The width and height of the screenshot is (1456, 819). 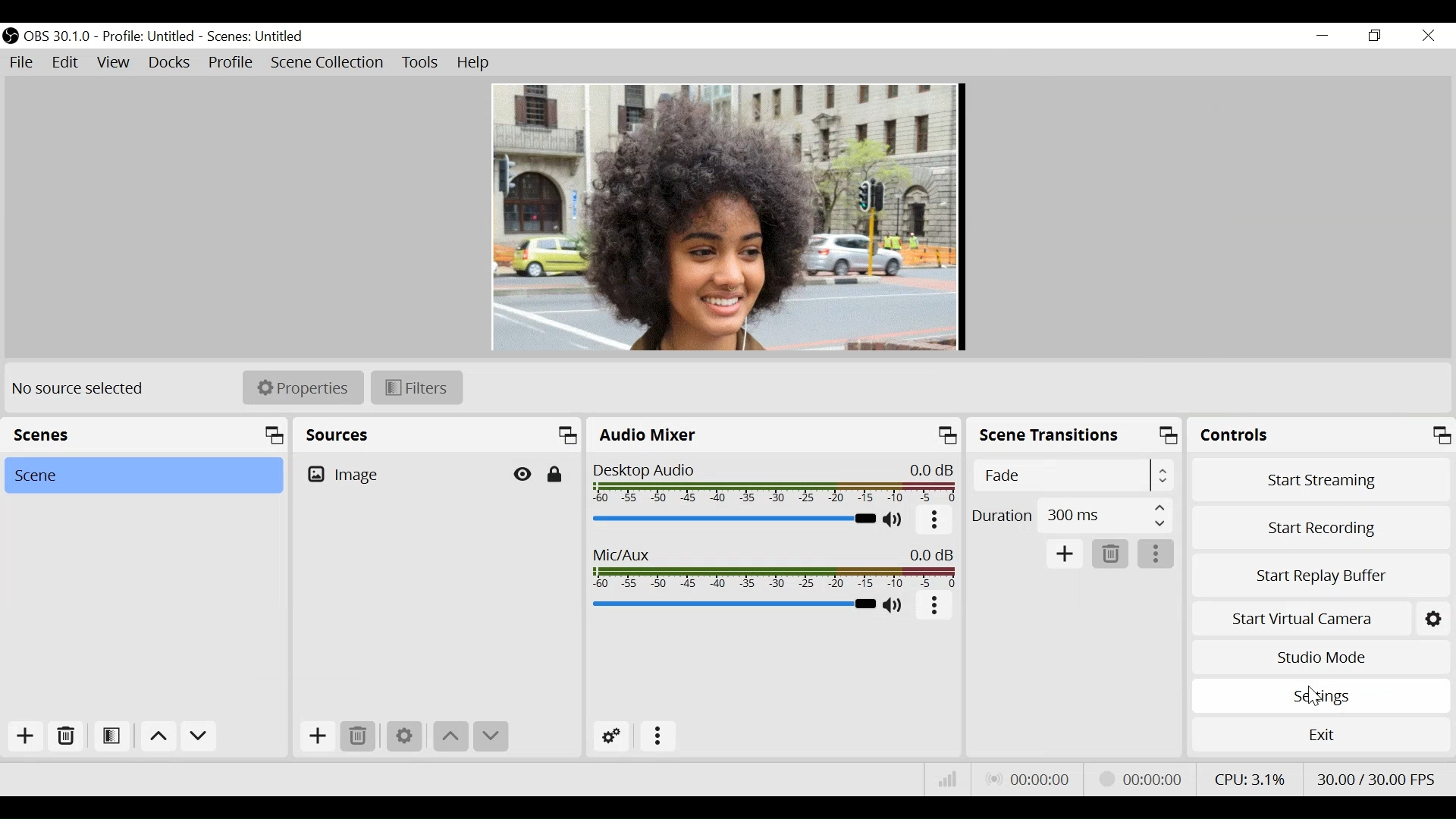 What do you see at coordinates (330, 62) in the screenshot?
I see `Scene Collection` at bounding box center [330, 62].